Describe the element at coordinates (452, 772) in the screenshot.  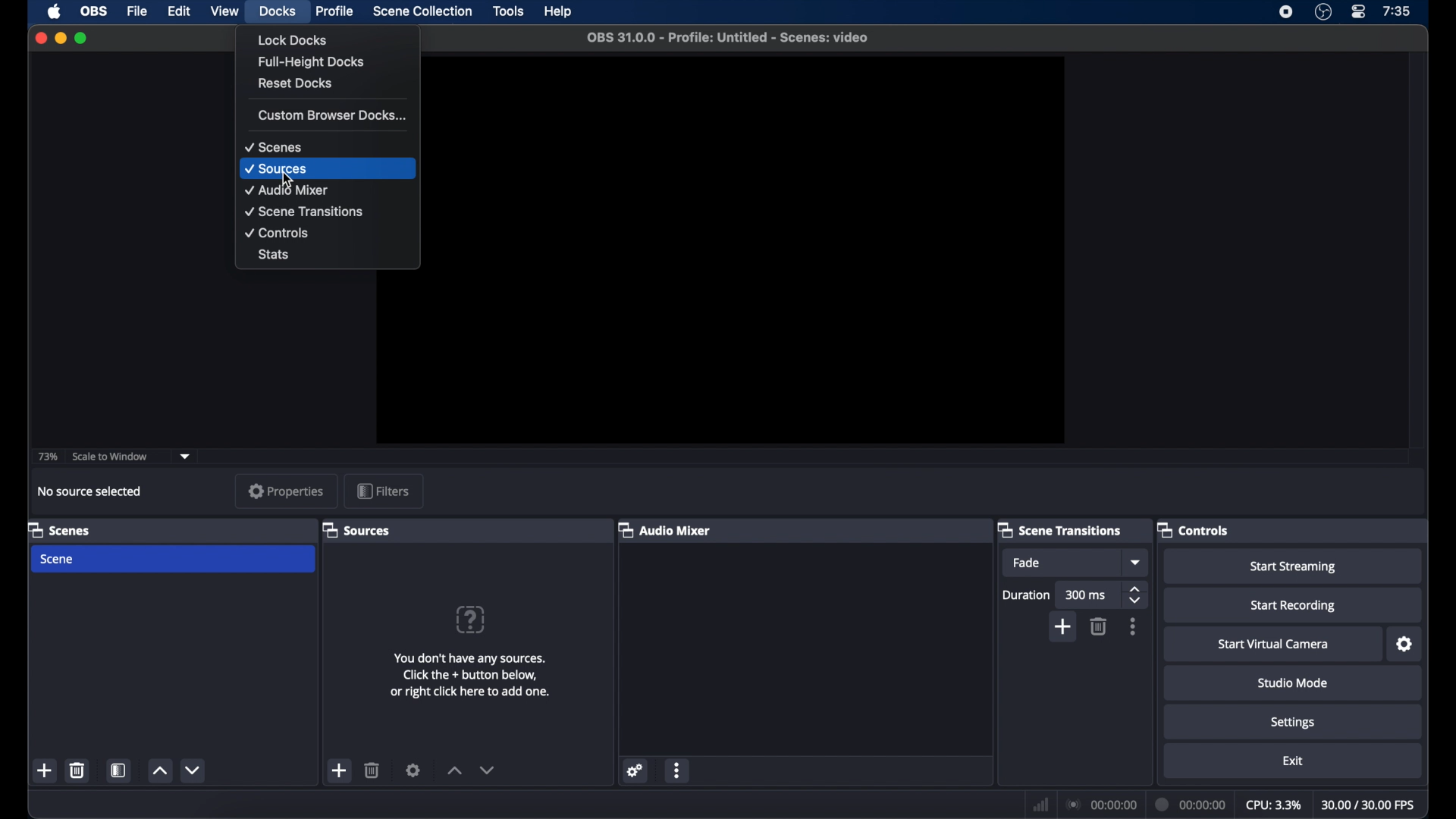
I see `increment` at that location.